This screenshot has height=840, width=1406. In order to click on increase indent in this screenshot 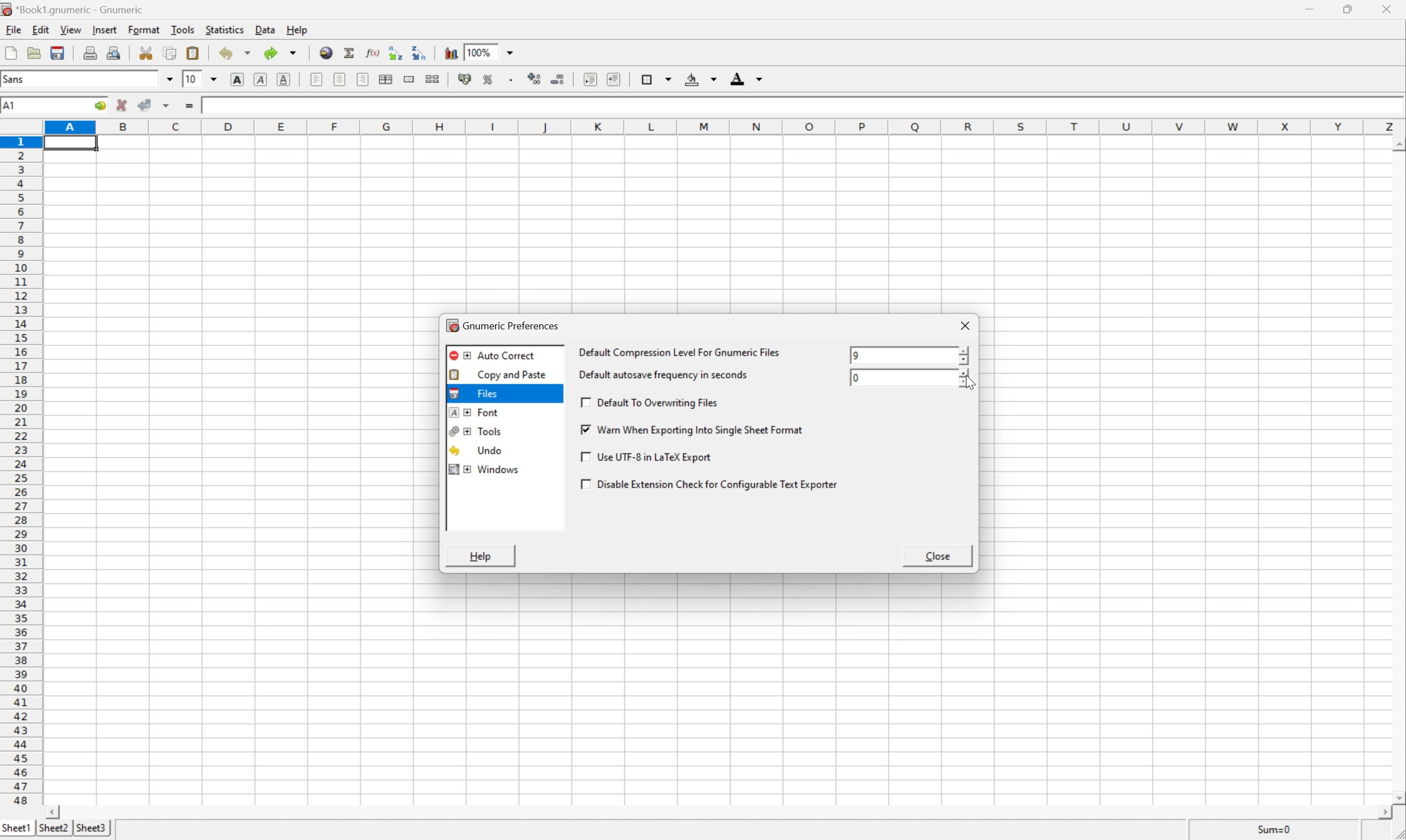, I will do `click(614, 79)`.